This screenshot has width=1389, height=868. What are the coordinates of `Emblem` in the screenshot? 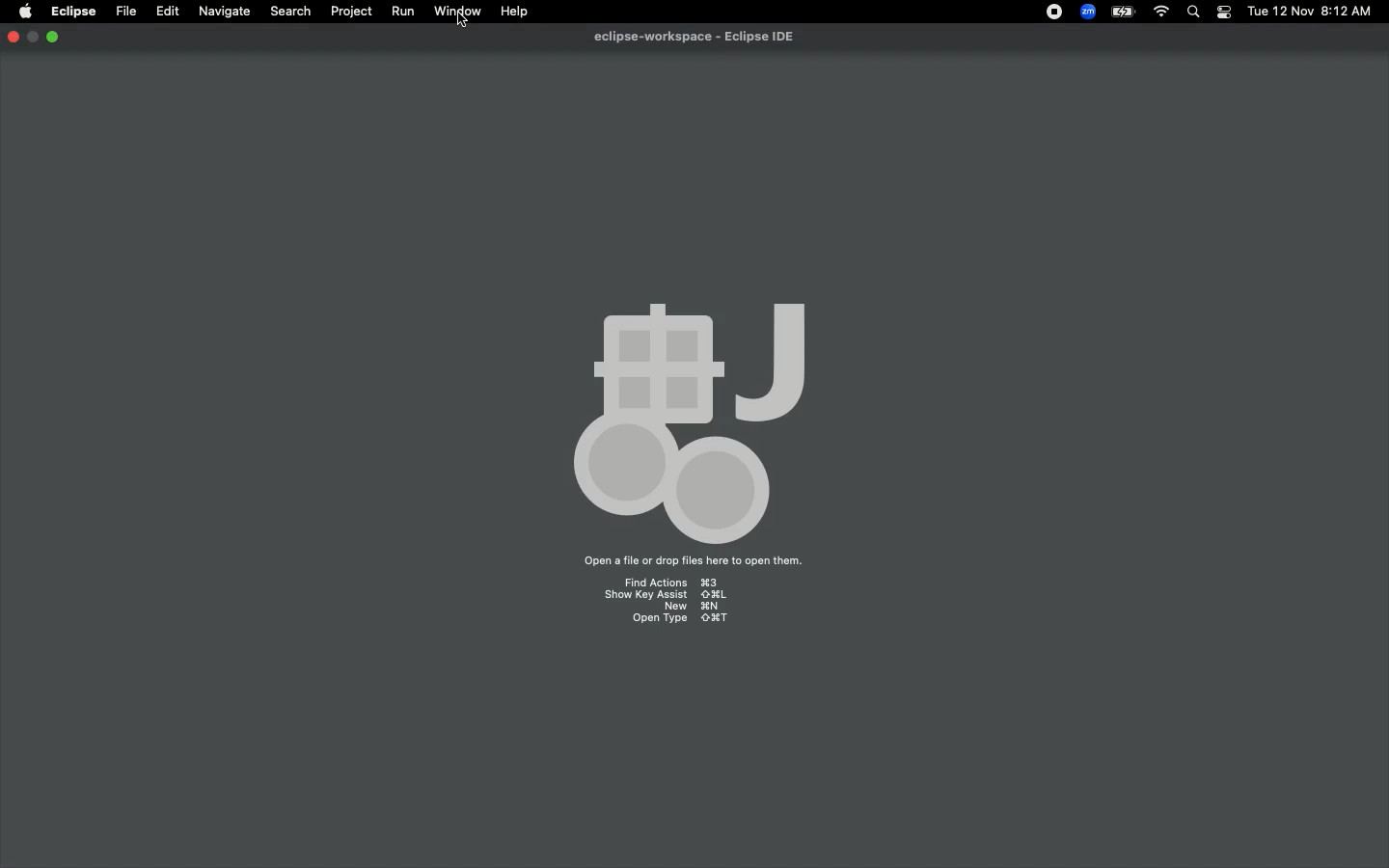 It's located at (698, 415).